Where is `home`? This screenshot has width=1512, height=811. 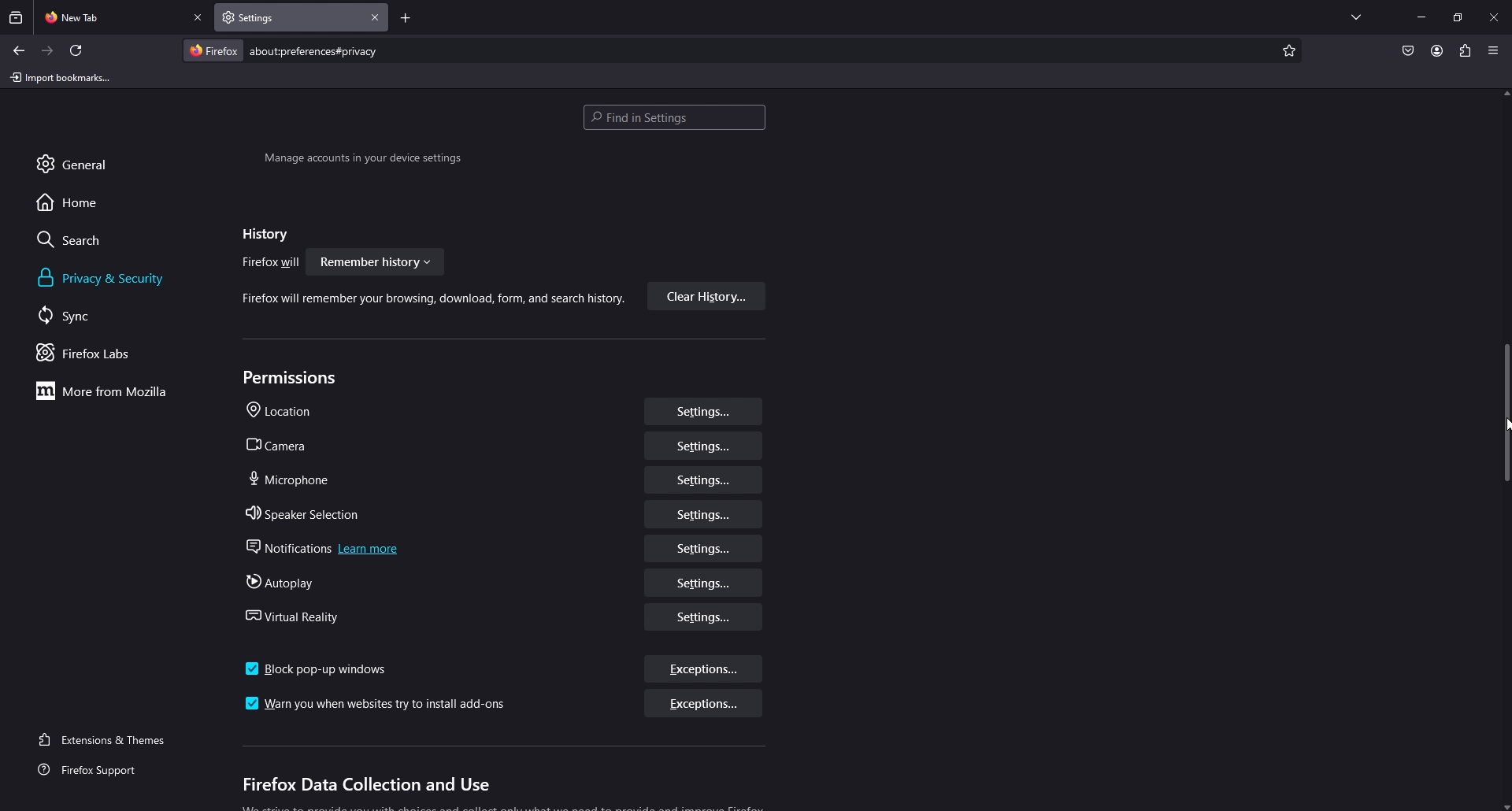
home is located at coordinates (81, 202).